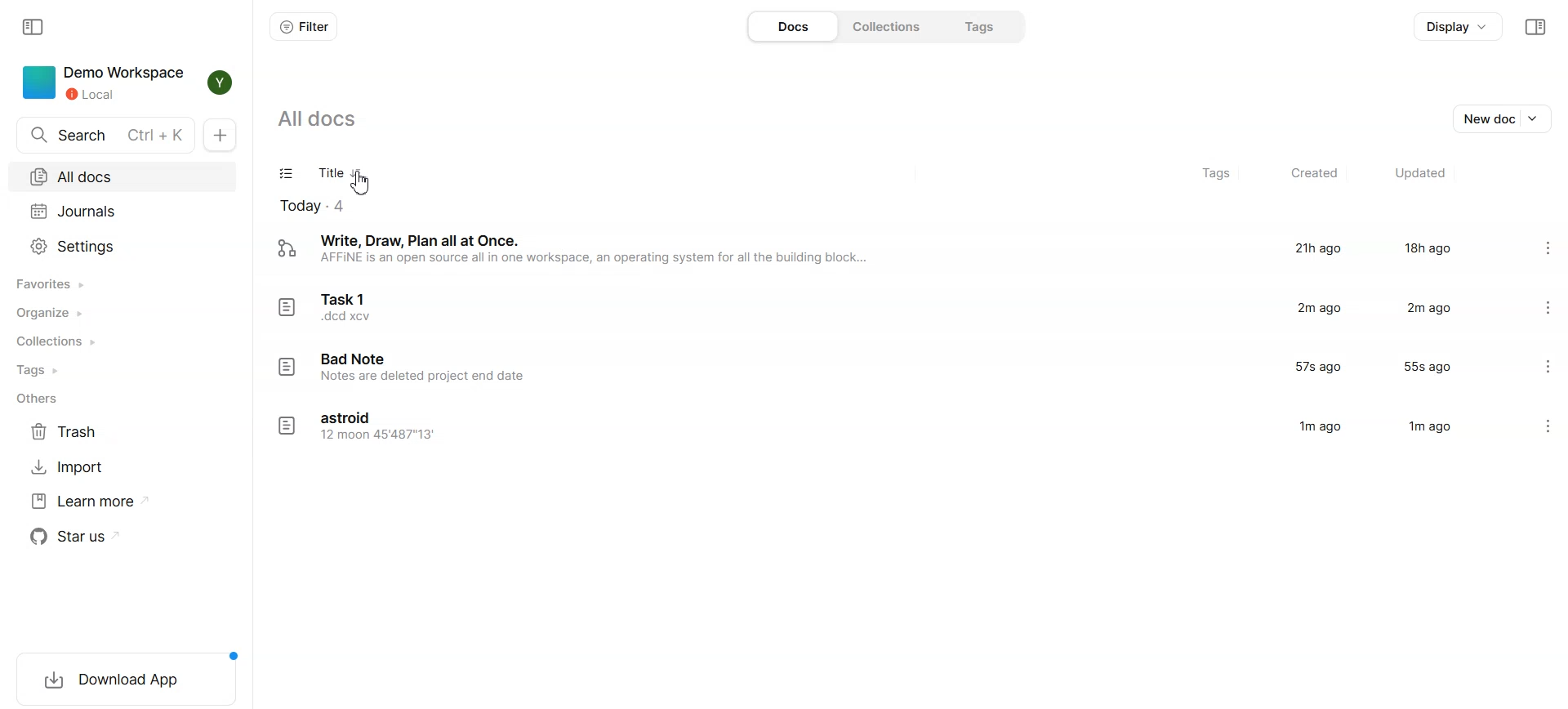 Image resolution: width=1568 pixels, height=709 pixels. I want to click on Created, so click(1314, 174).